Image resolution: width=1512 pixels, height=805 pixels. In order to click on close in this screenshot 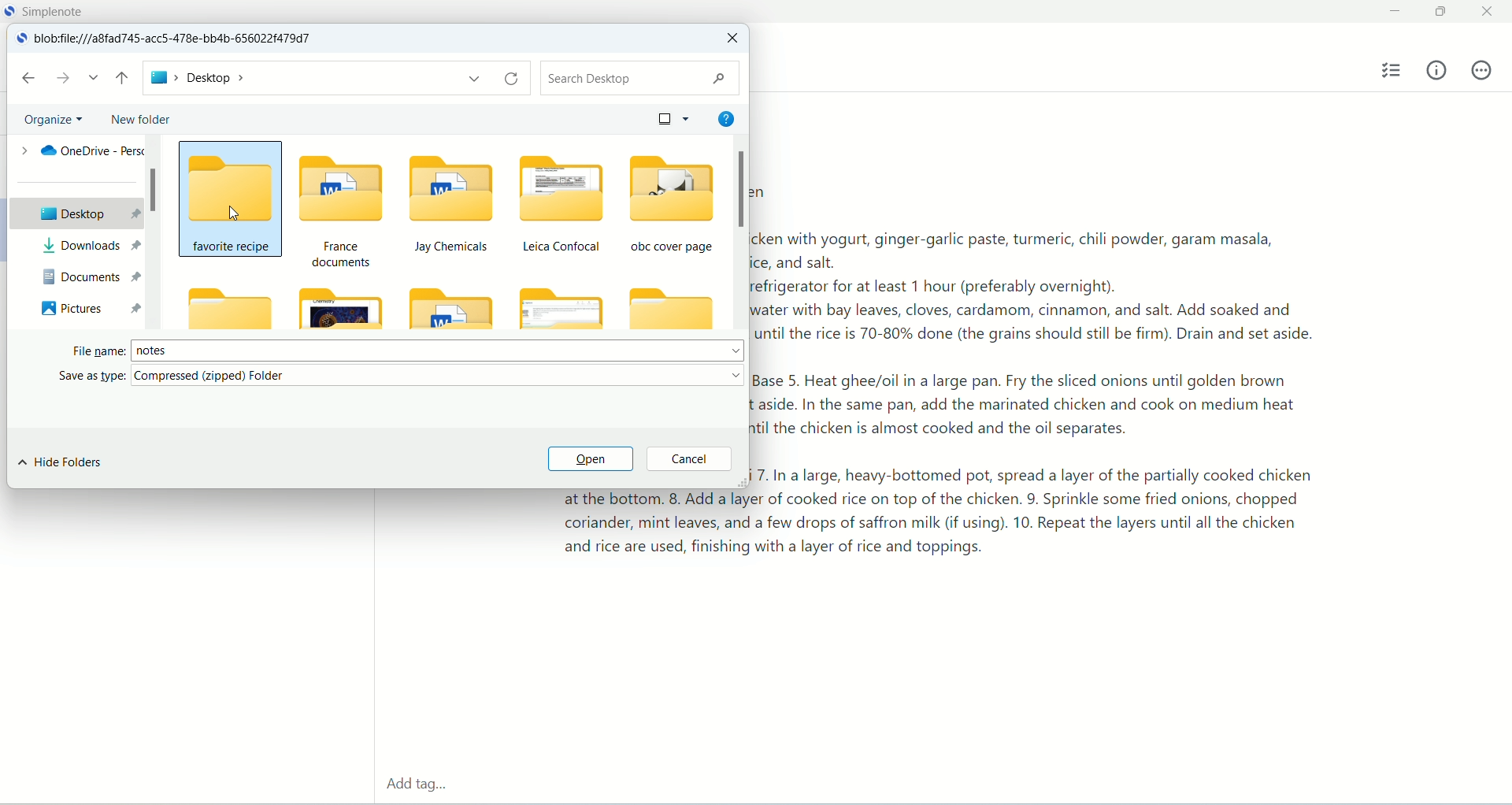, I will do `click(731, 39)`.